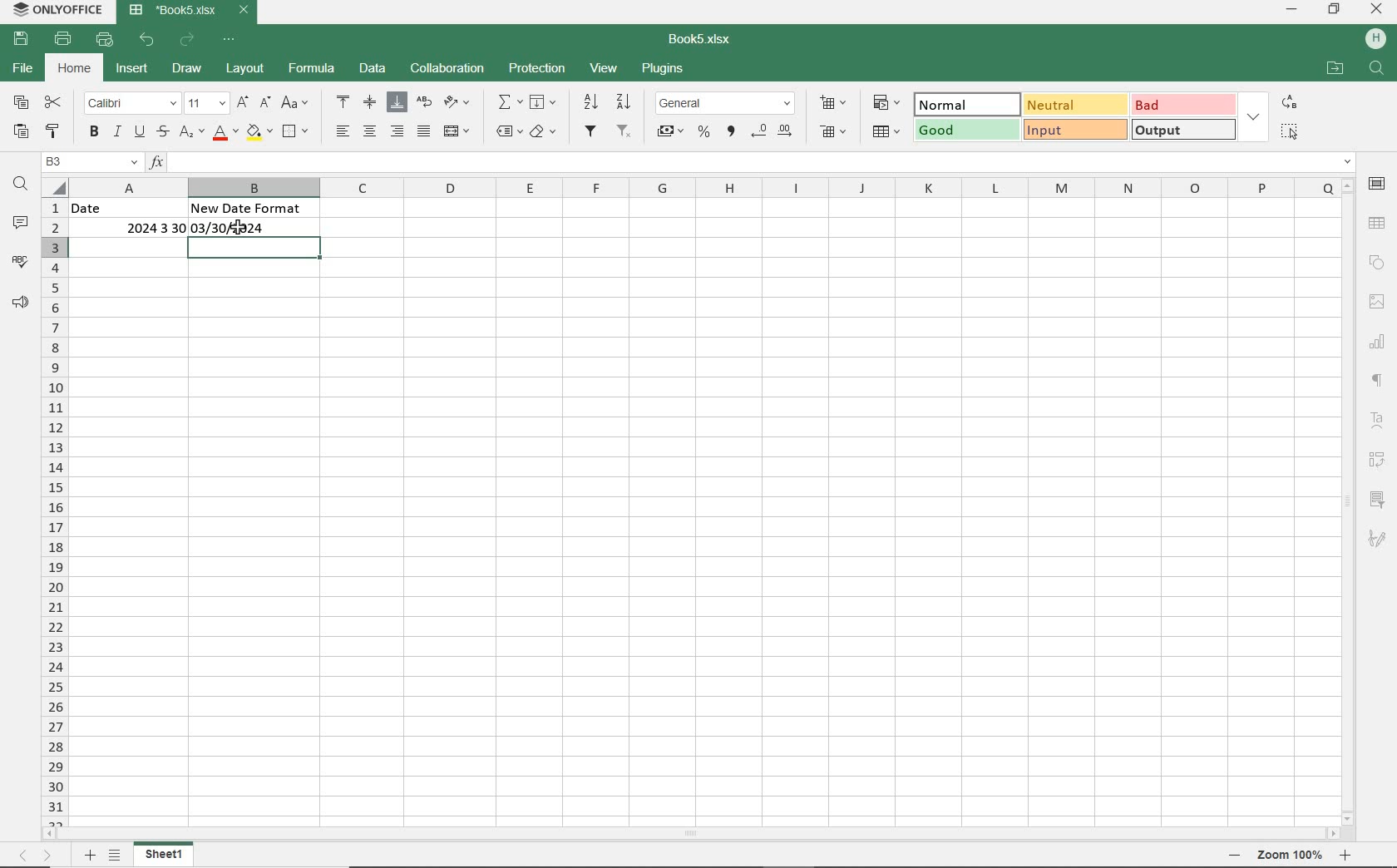  Describe the element at coordinates (259, 133) in the screenshot. I see `FILL COLOR` at that location.